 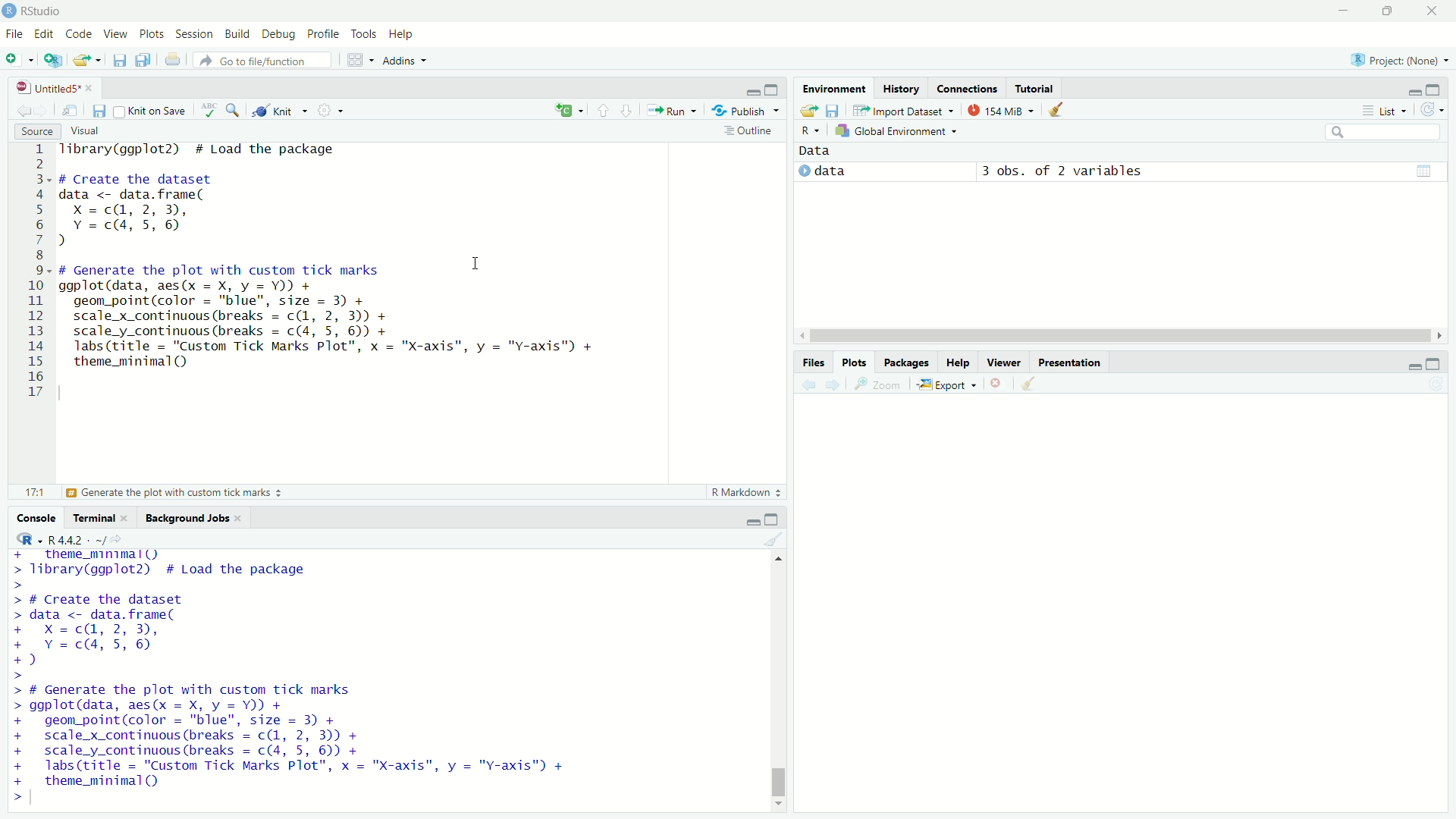 What do you see at coordinates (812, 361) in the screenshot?
I see `files` at bounding box center [812, 361].